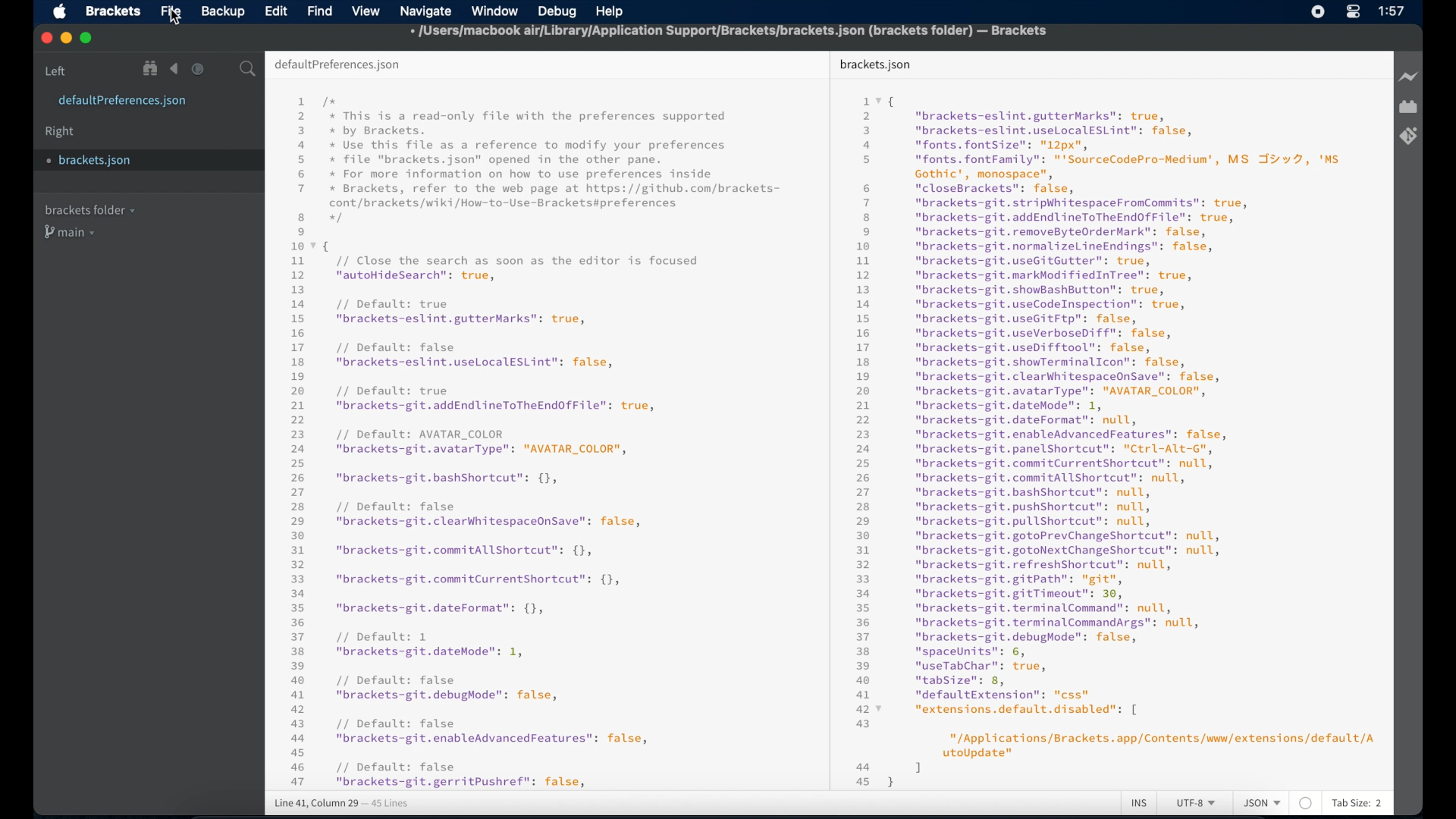 This screenshot has height=819, width=1456. Describe the element at coordinates (1357, 804) in the screenshot. I see `tab size: 2` at that location.